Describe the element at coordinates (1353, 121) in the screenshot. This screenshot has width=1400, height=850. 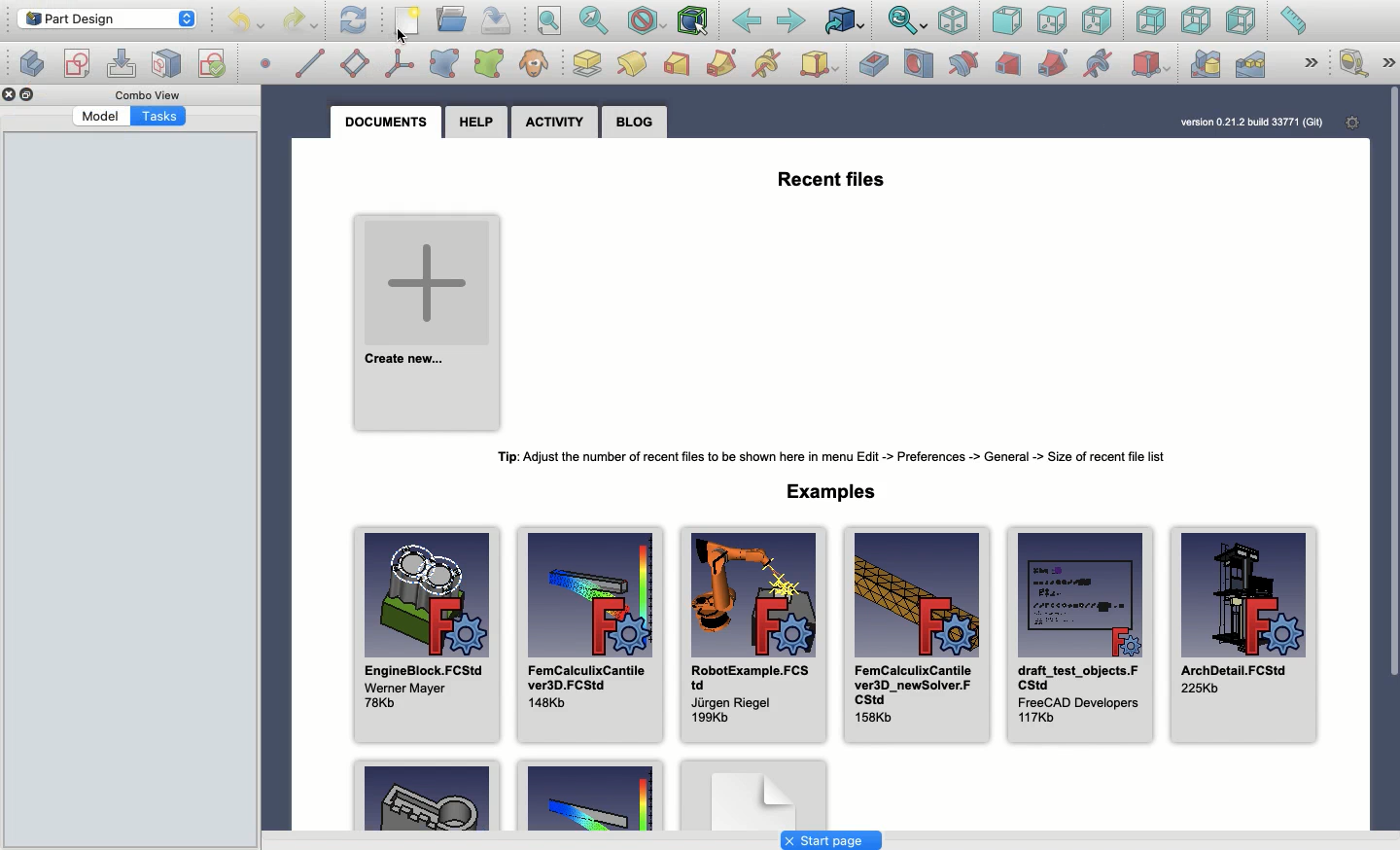
I see `Settings` at that location.